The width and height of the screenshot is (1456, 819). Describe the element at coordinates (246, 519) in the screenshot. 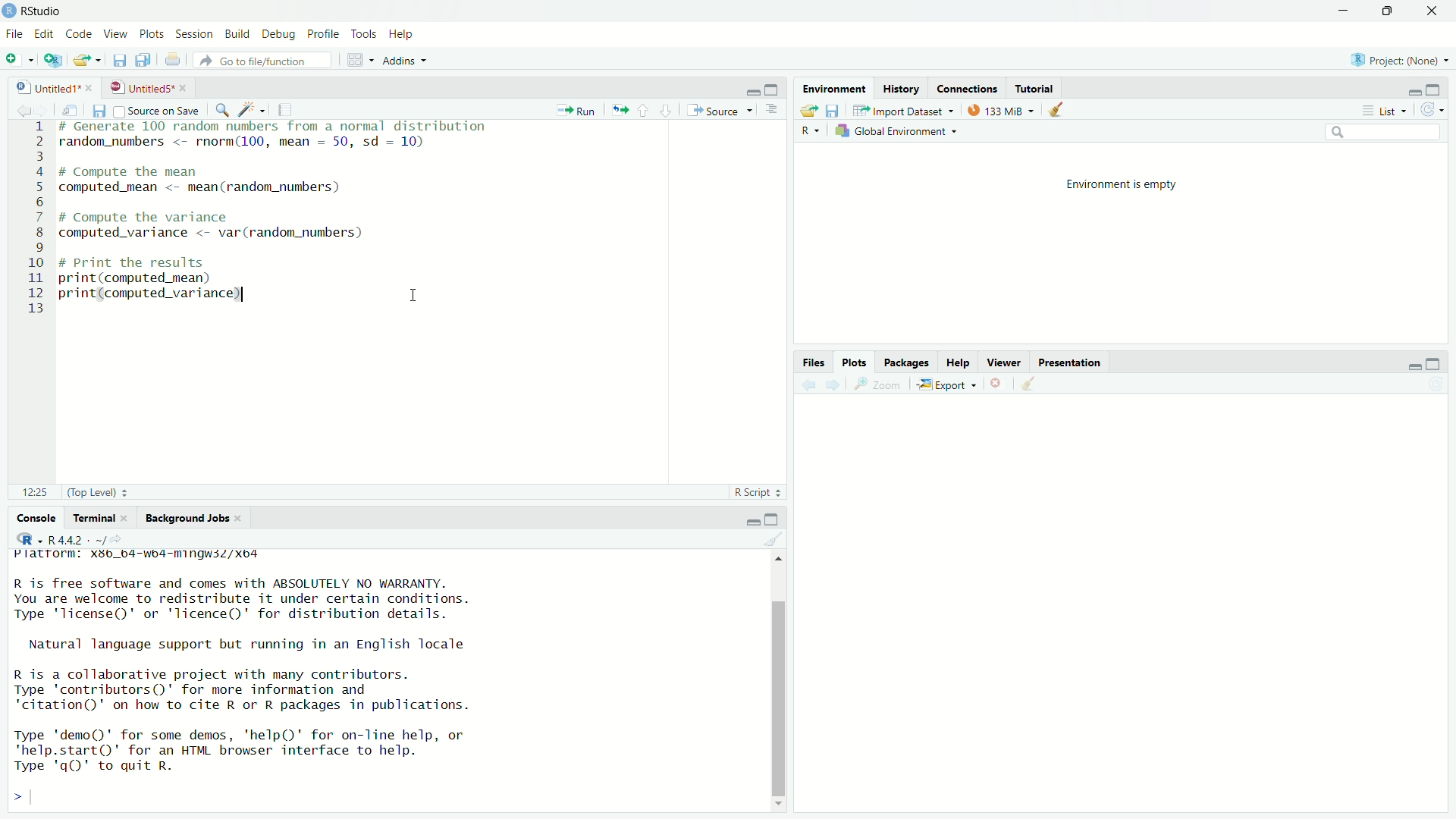

I see `close` at that location.